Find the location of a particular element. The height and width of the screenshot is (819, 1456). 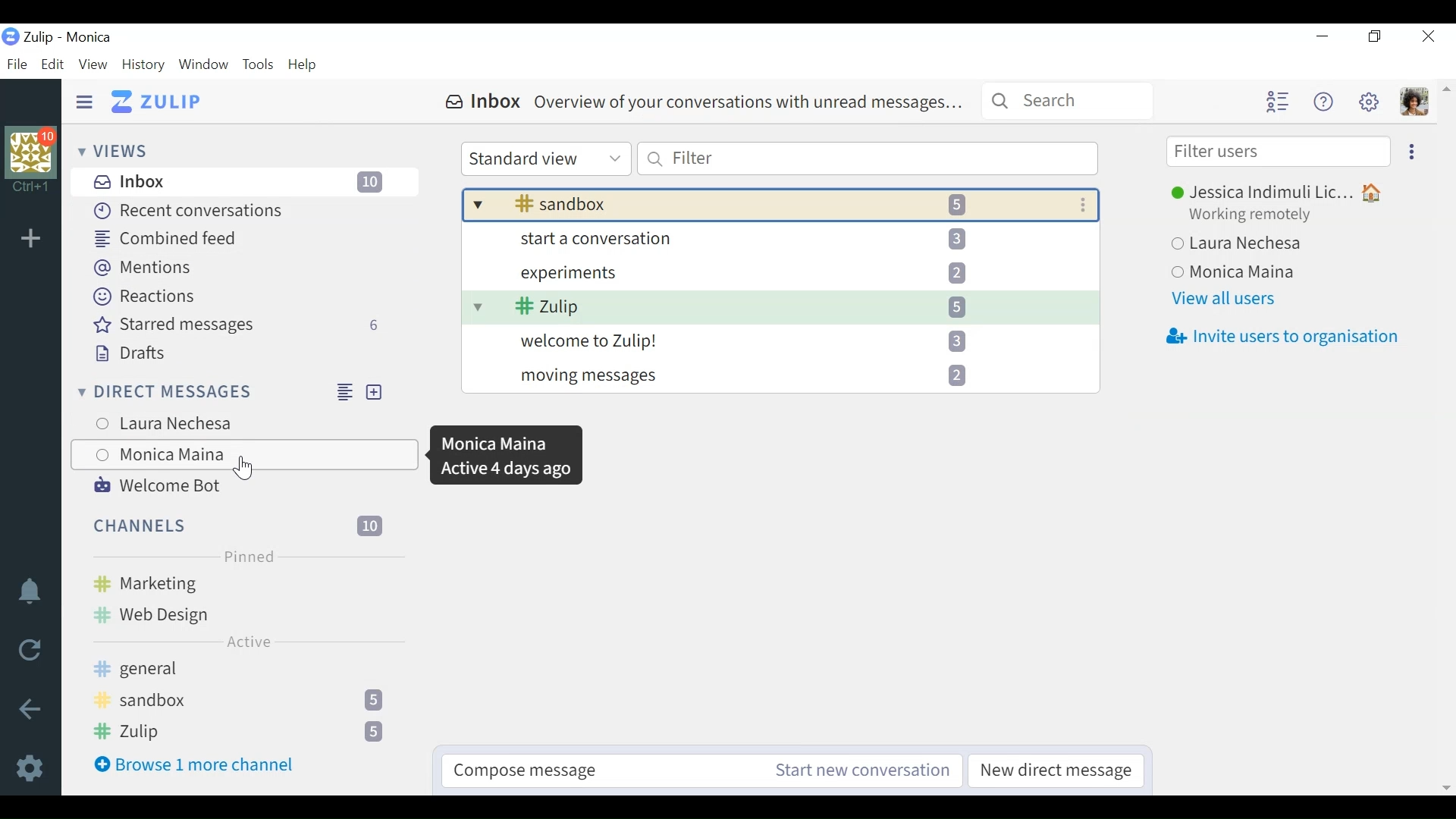

Views is located at coordinates (116, 152).